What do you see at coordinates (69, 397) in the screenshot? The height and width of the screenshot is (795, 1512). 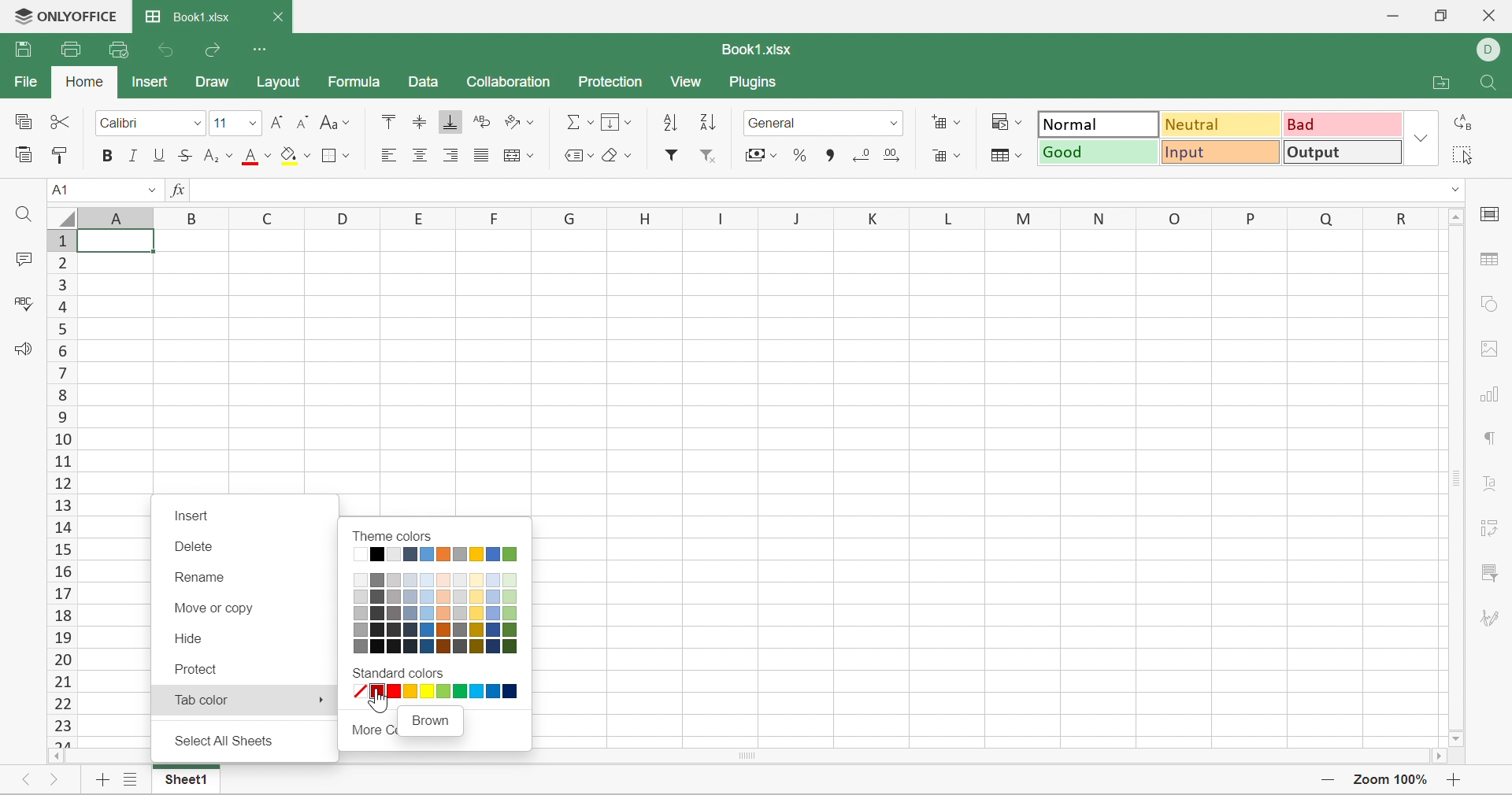 I see `8` at bounding box center [69, 397].